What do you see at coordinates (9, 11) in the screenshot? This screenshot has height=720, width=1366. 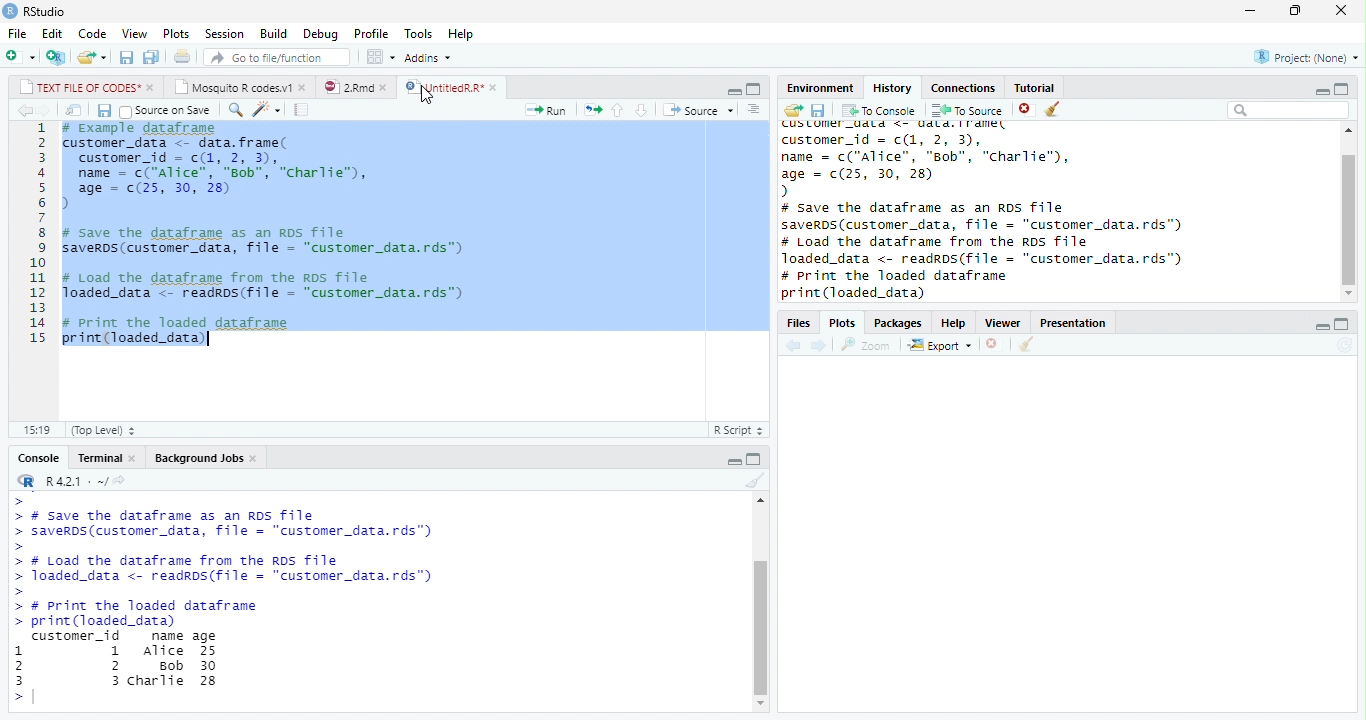 I see `logo` at bounding box center [9, 11].